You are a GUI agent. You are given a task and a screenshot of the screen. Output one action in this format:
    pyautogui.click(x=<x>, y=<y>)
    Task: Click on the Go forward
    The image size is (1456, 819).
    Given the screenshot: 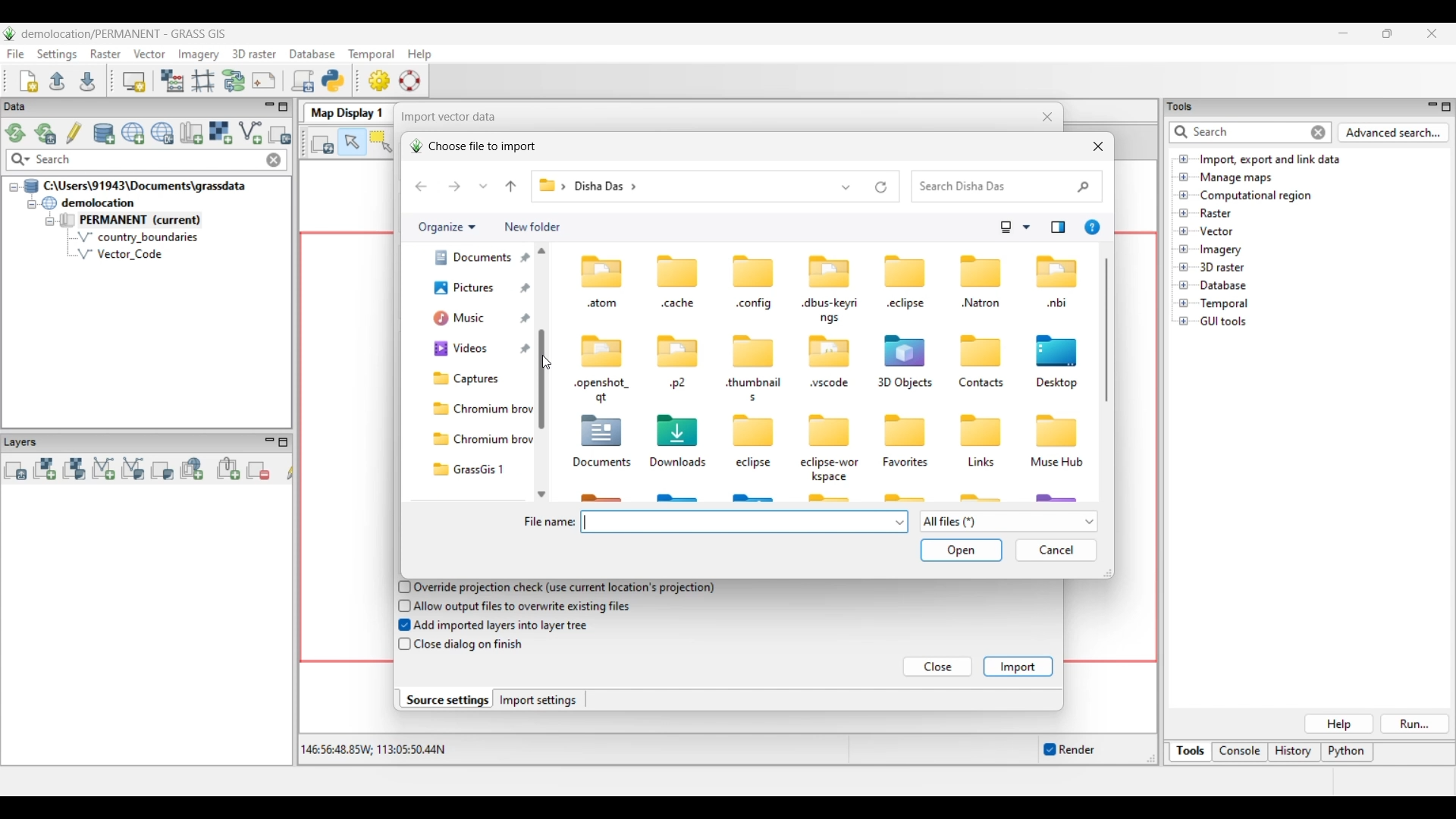 What is the action you would take?
    pyautogui.click(x=454, y=186)
    